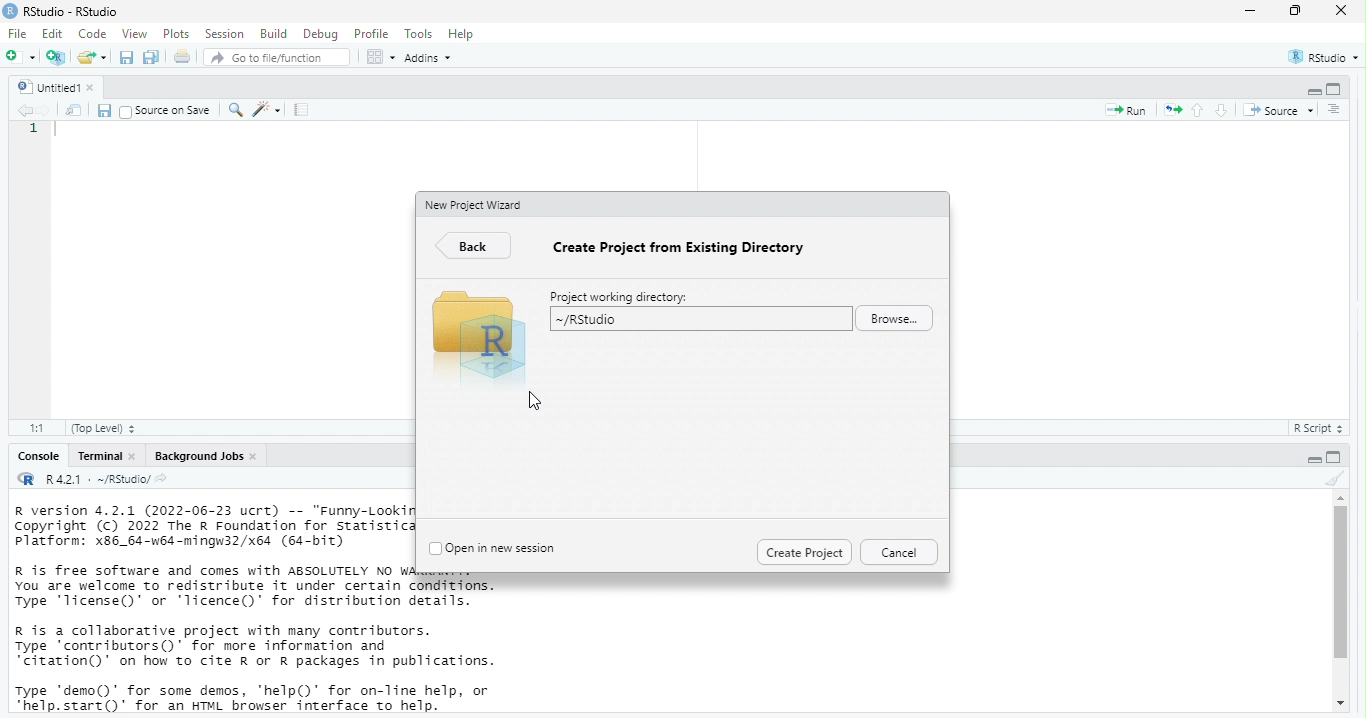 This screenshot has height=718, width=1366. Describe the element at coordinates (257, 457) in the screenshot. I see `close` at that location.